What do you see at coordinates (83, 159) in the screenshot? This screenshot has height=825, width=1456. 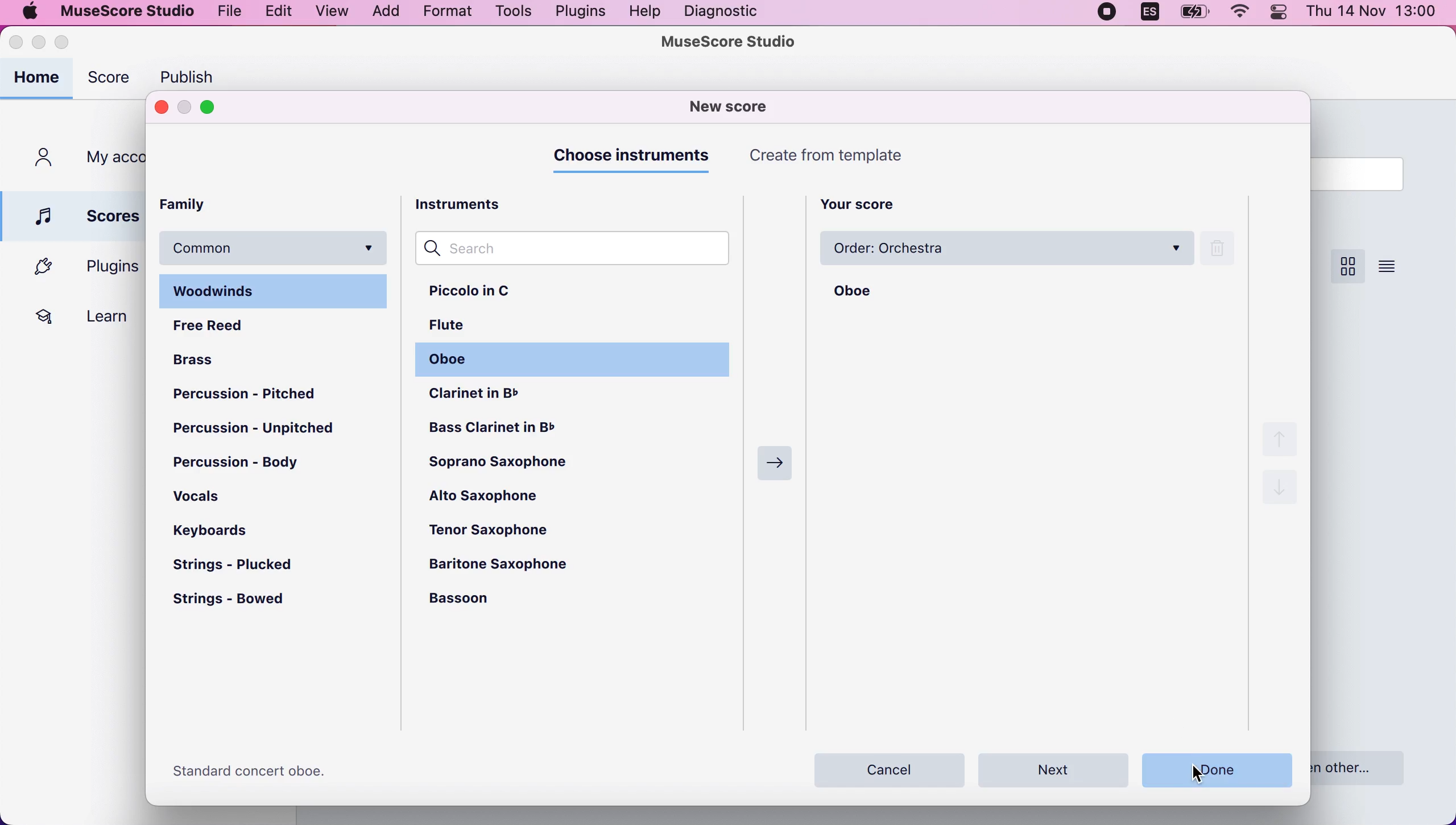 I see `my accounts` at bounding box center [83, 159].